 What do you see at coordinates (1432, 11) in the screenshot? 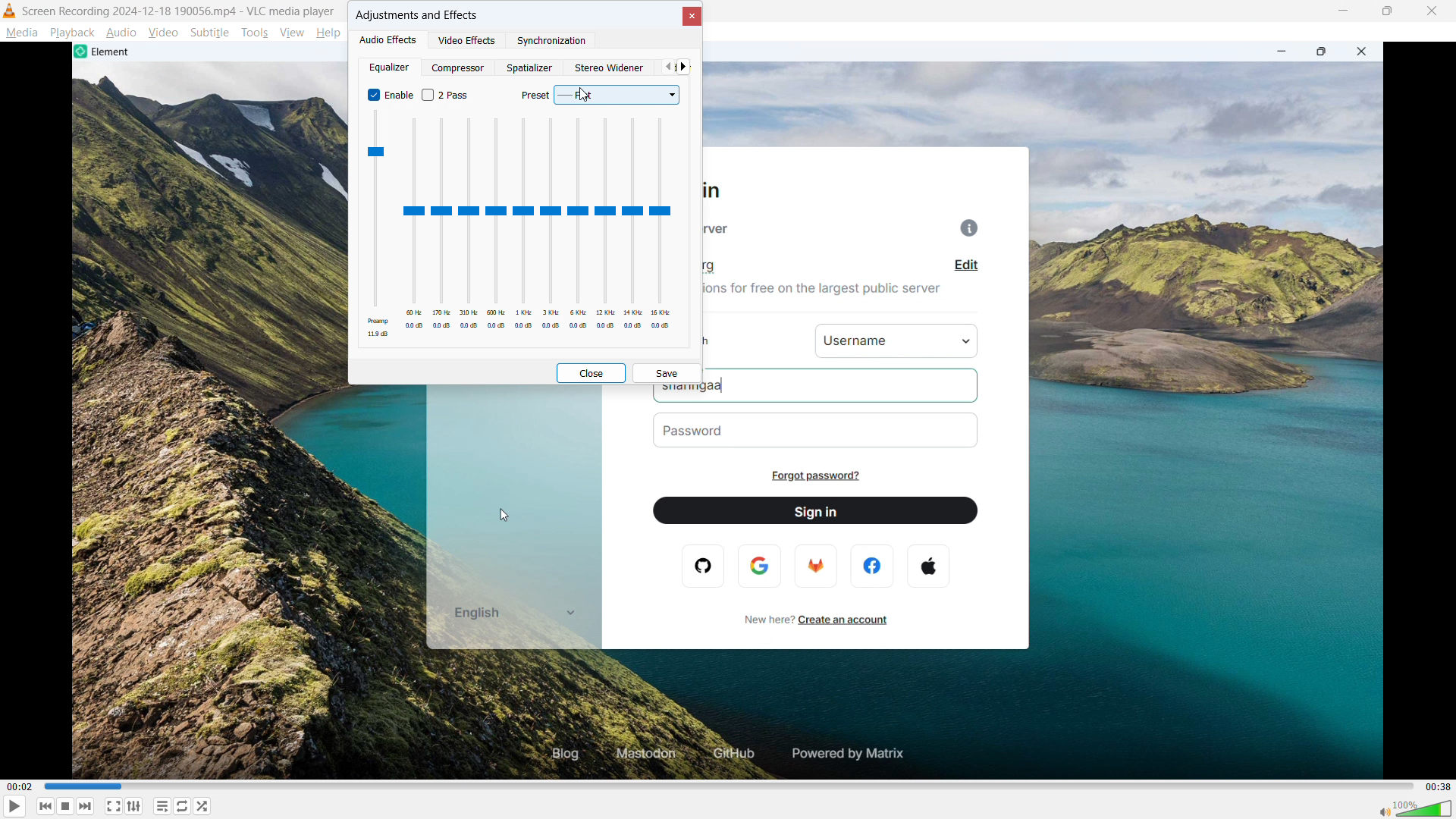
I see `close ` at bounding box center [1432, 11].